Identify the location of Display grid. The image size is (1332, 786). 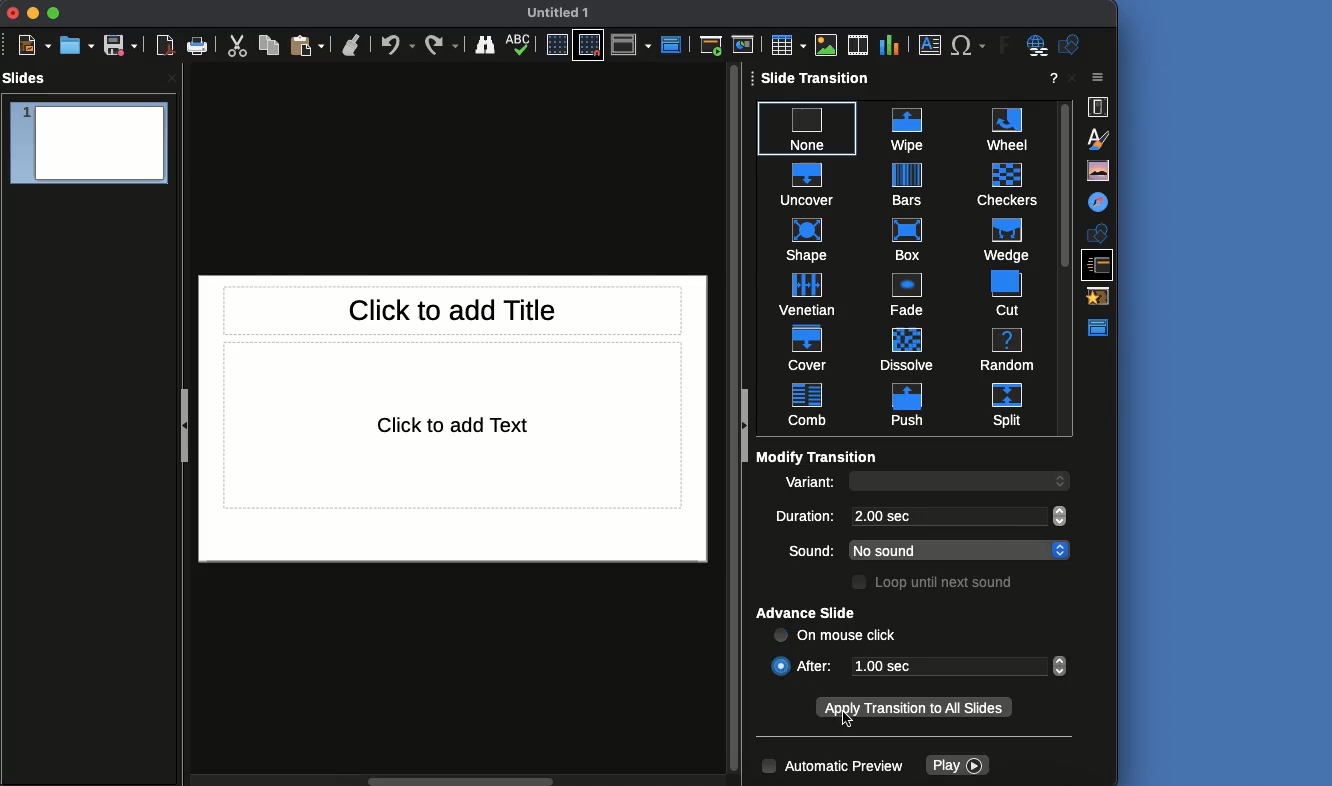
(558, 44).